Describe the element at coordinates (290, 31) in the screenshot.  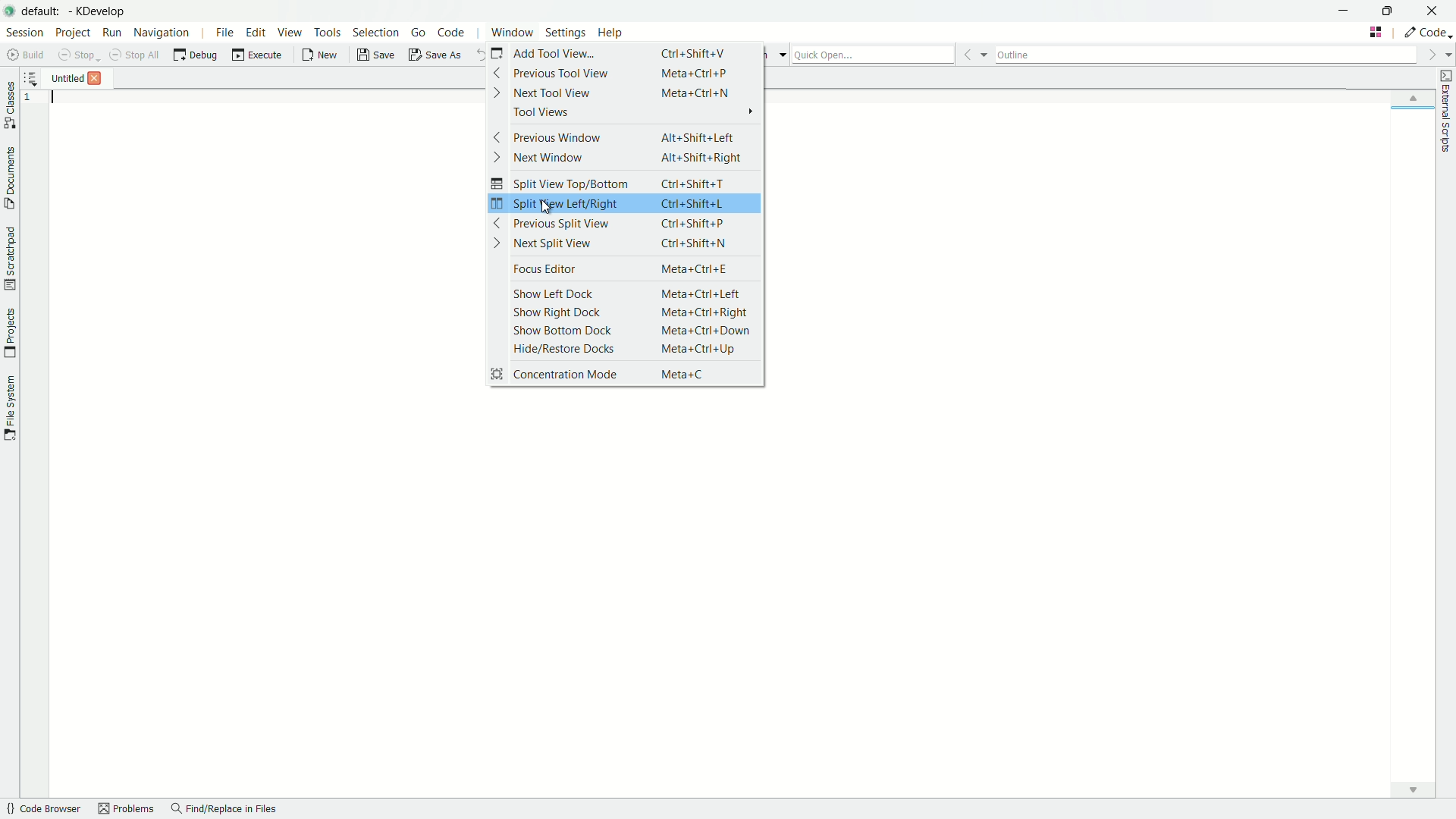
I see `view menu` at that location.